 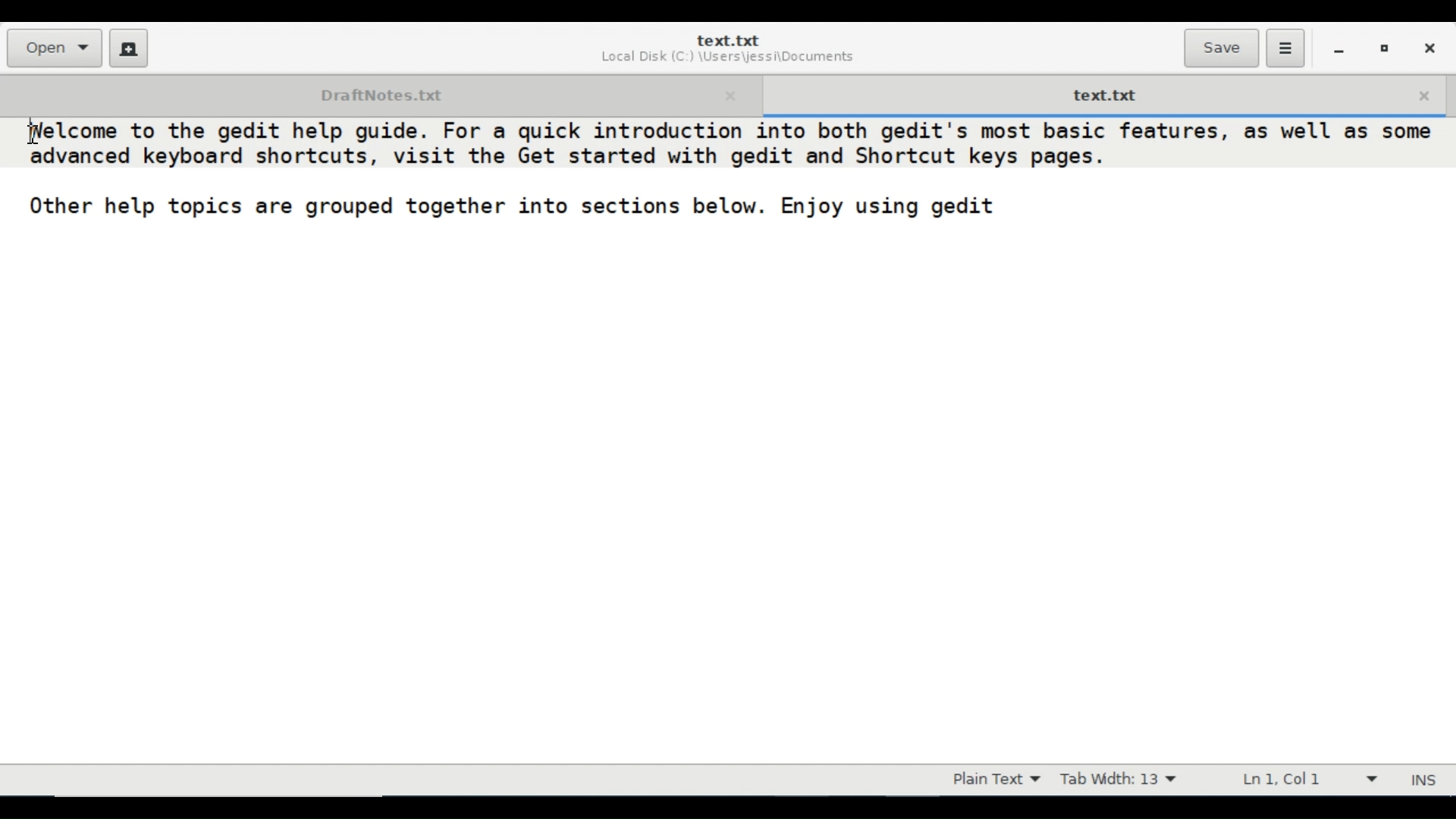 I want to click on minimize, so click(x=1338, y=48).